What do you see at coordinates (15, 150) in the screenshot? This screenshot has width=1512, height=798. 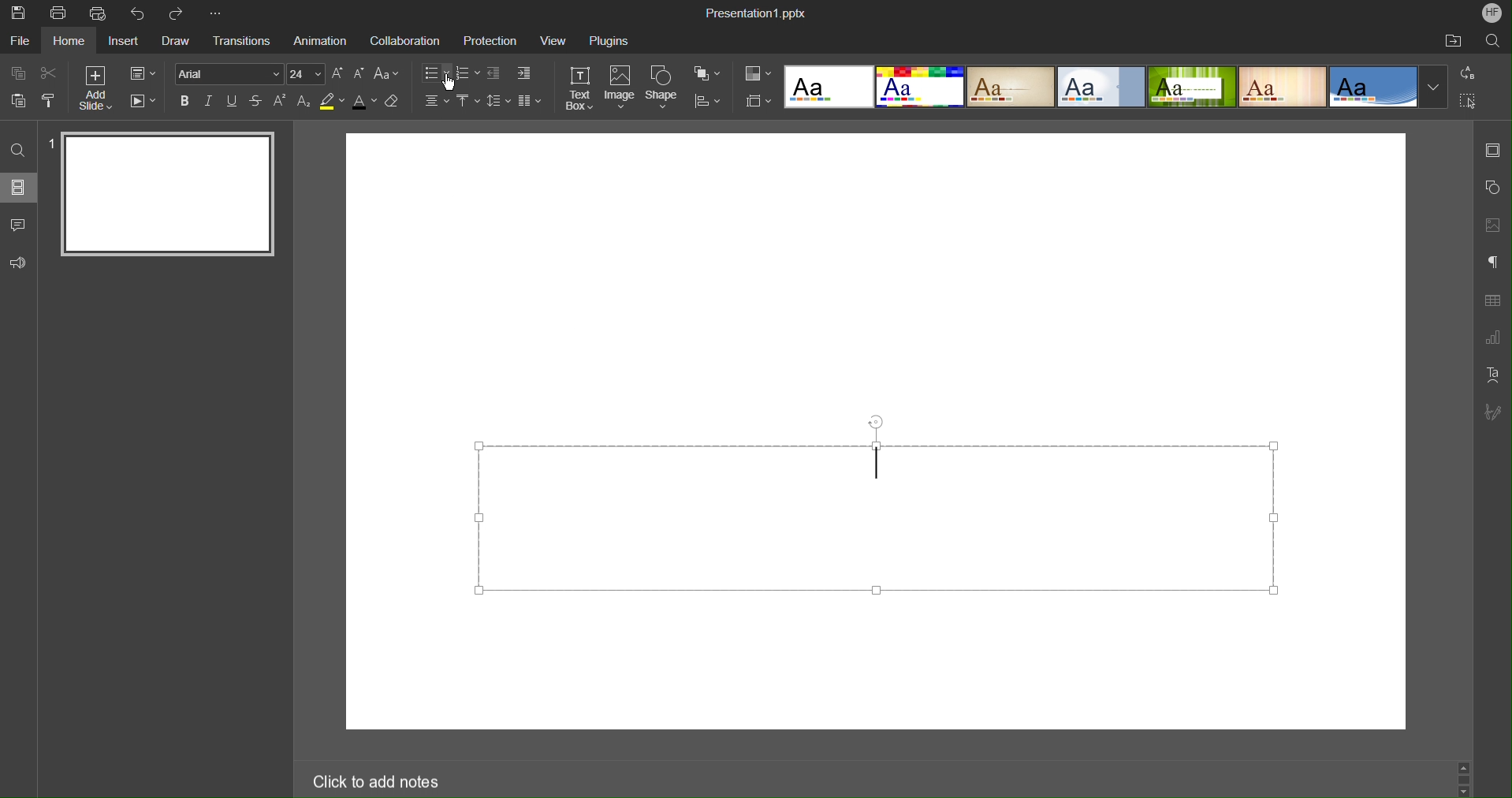 I see `Find` at bounding box center [15, 150].